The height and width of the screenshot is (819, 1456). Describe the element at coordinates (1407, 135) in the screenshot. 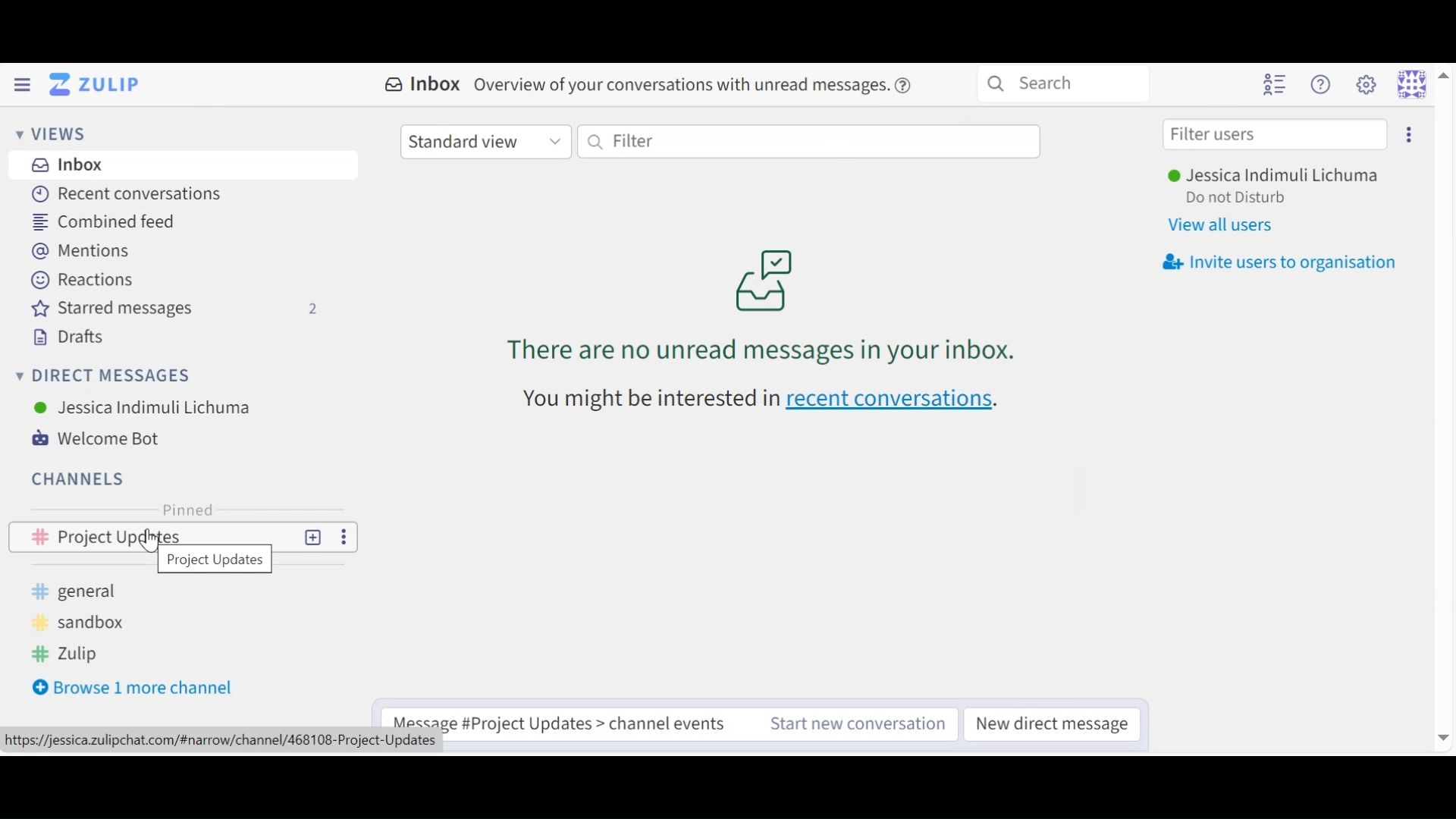

I see `Invite users to organisation` at that location.